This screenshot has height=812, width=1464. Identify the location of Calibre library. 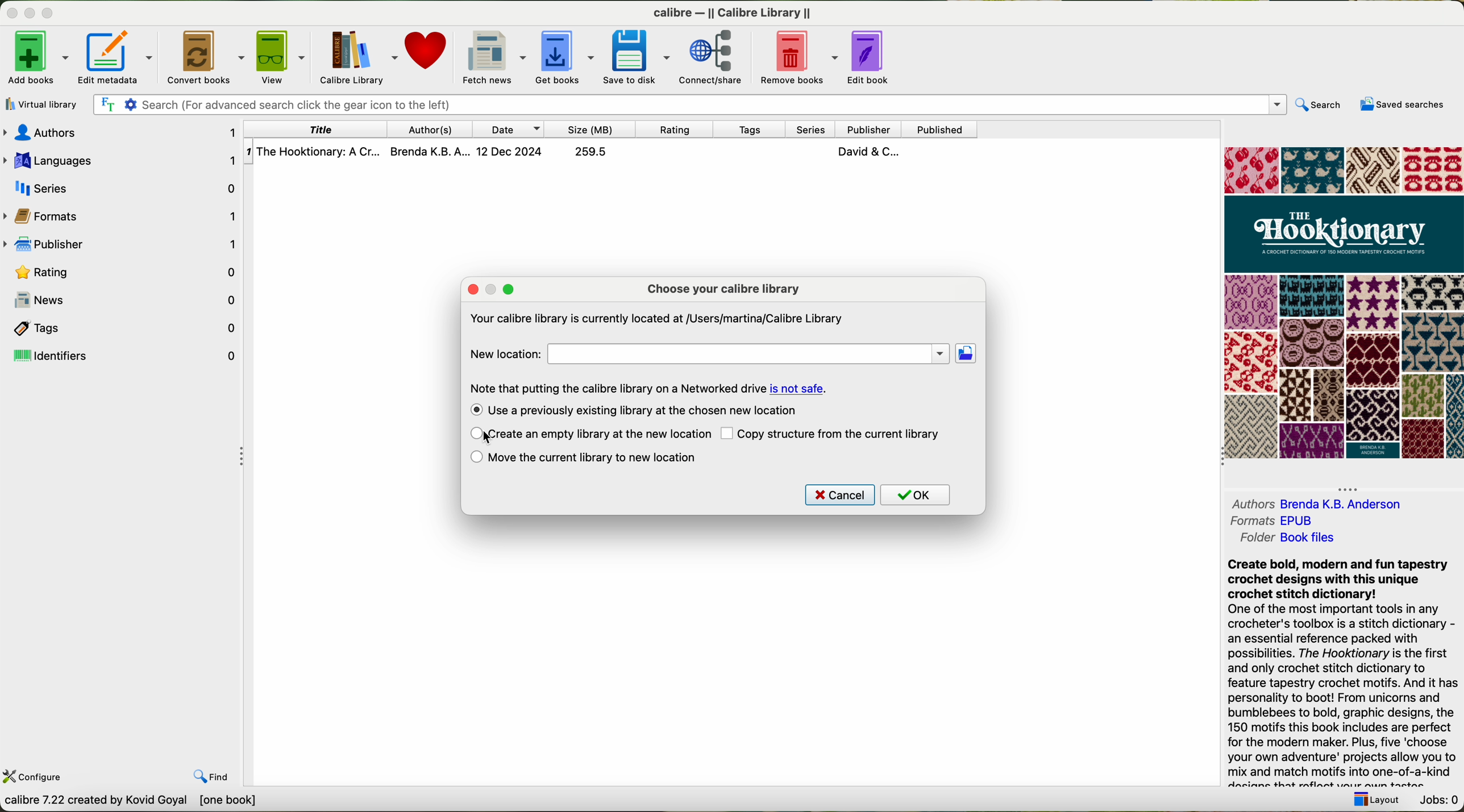
(356, 57).